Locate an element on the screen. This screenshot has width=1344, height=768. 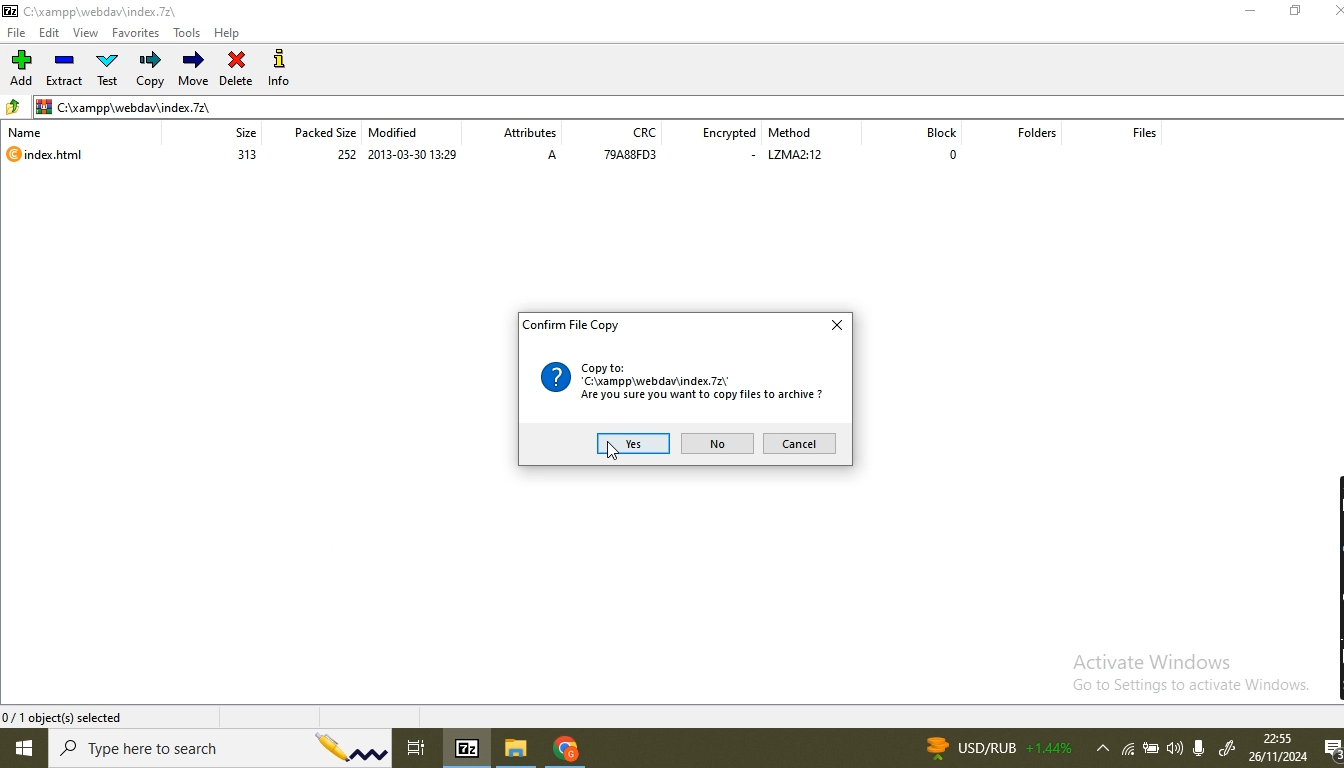
Pointer is located at coordinates (617, 455).